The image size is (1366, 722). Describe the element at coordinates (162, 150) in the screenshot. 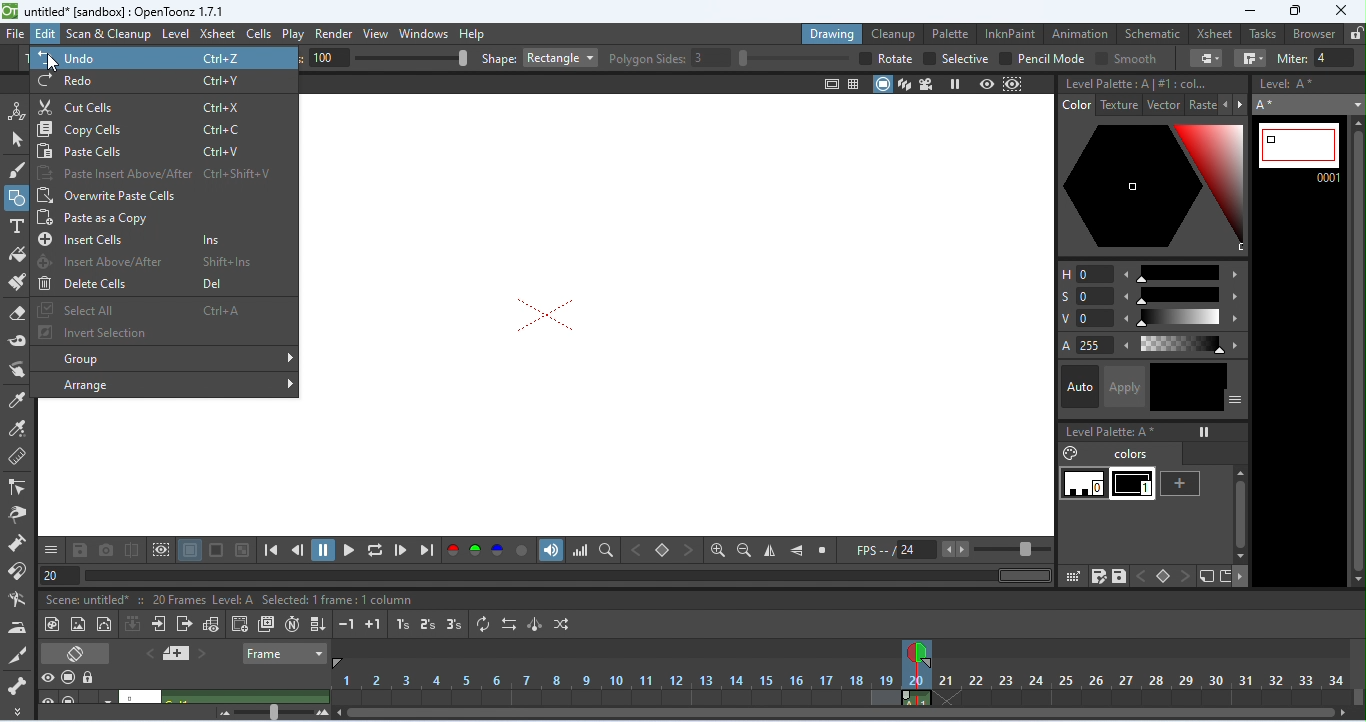

I see `paste cells` at that location.